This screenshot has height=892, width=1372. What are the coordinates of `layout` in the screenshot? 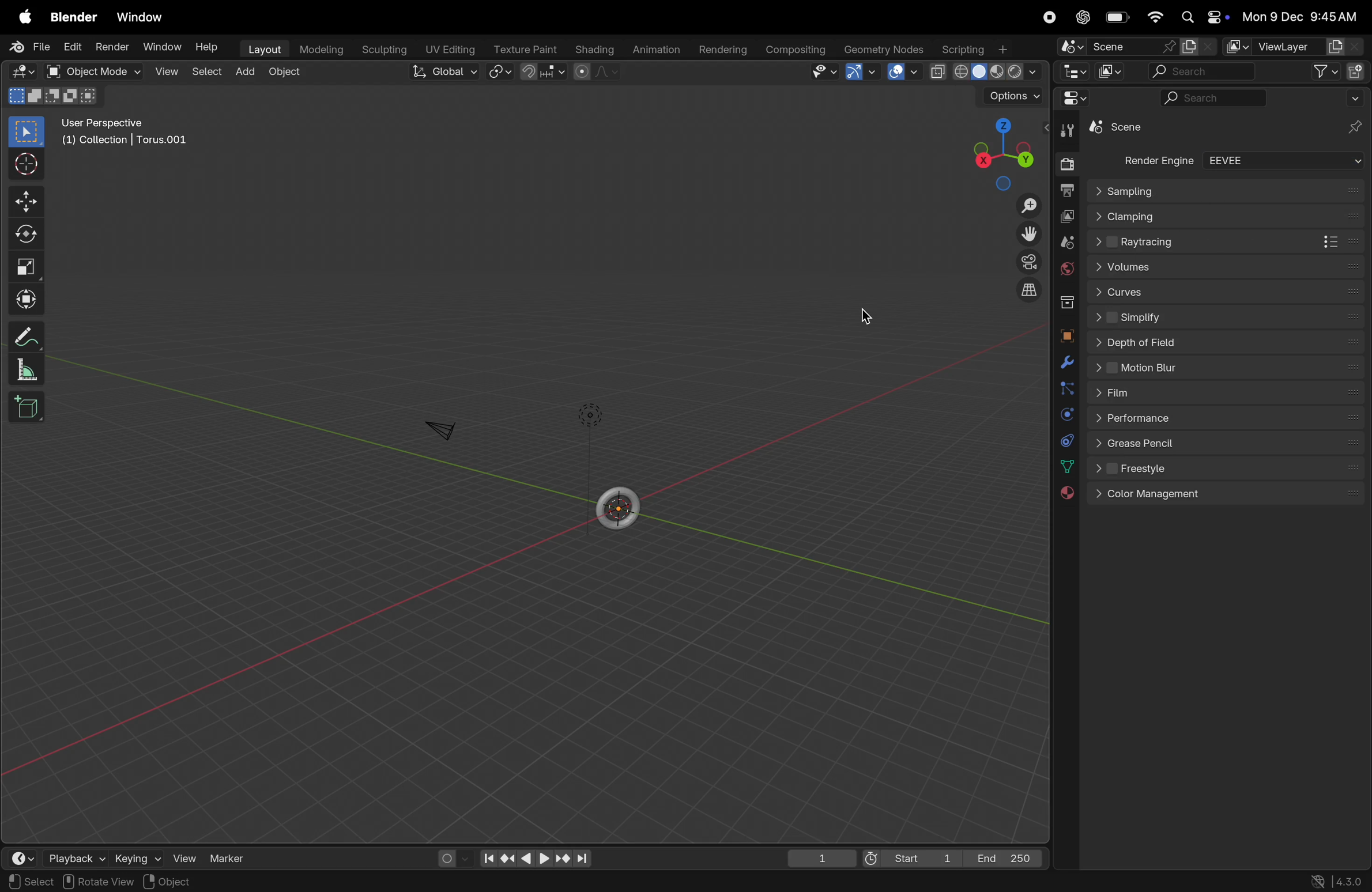 It's located at (263, 48).